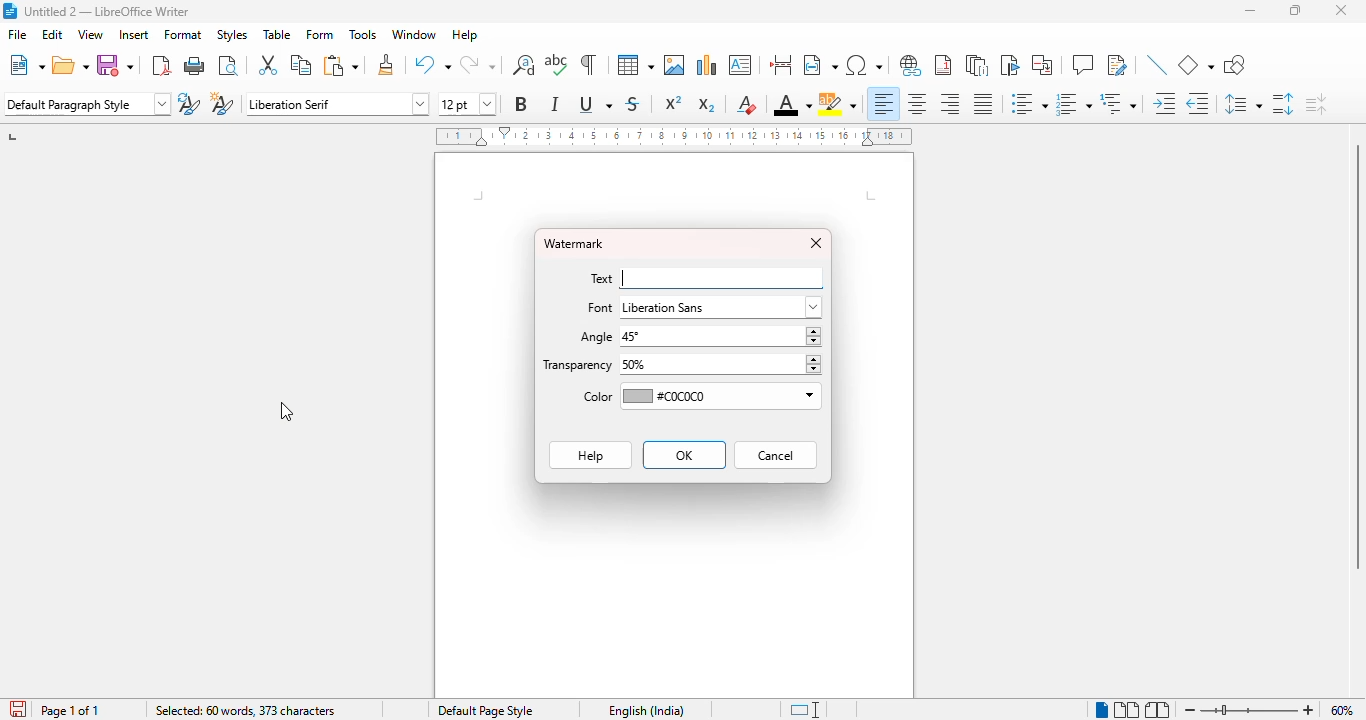 The image size is (1366, 720). Describe the element at coordinates (554, 104) in the screenshot. I see `italic` at that location.